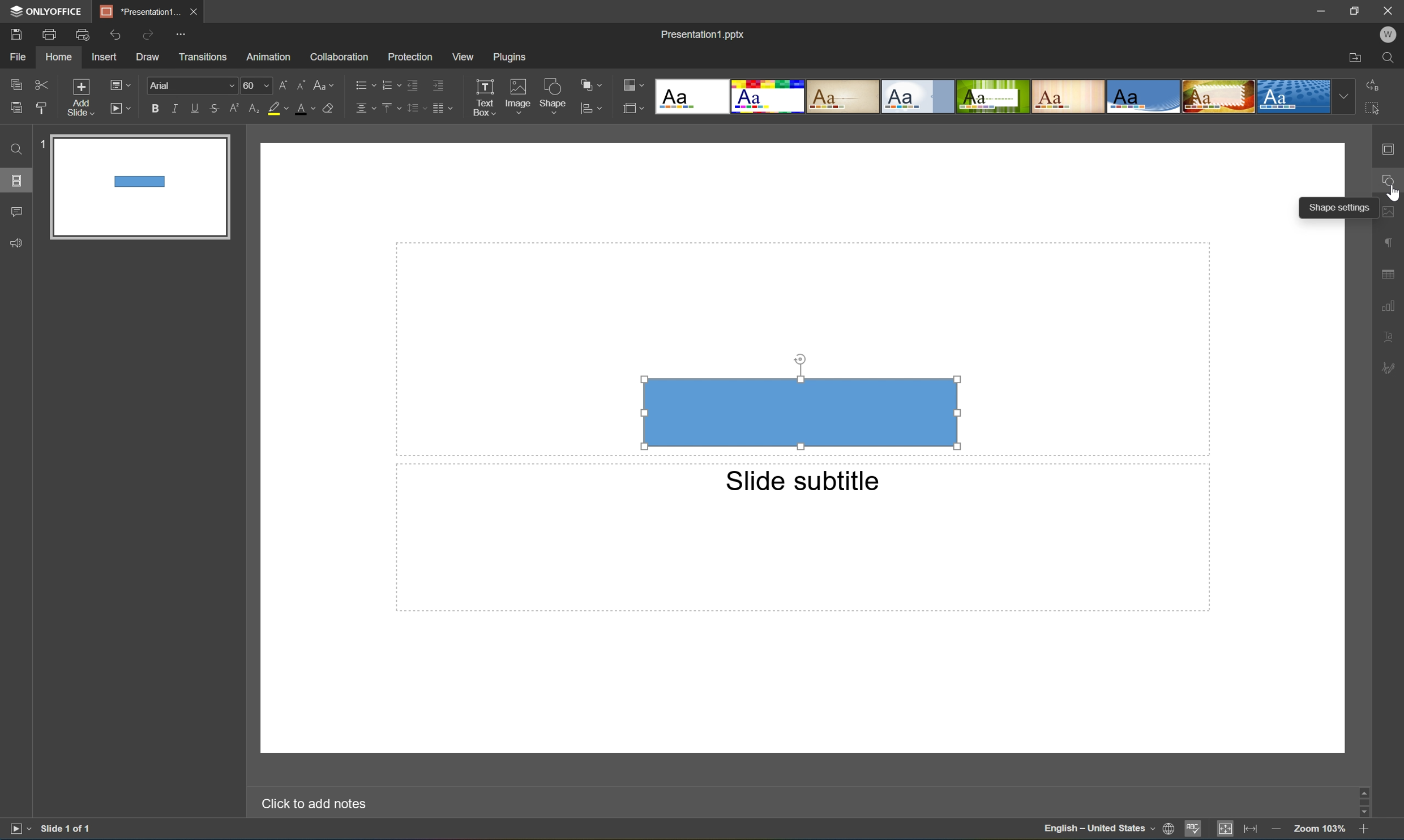  Describe the element at coordinates (389, 107) in the screenshot. I see `Vertically align` at that location.